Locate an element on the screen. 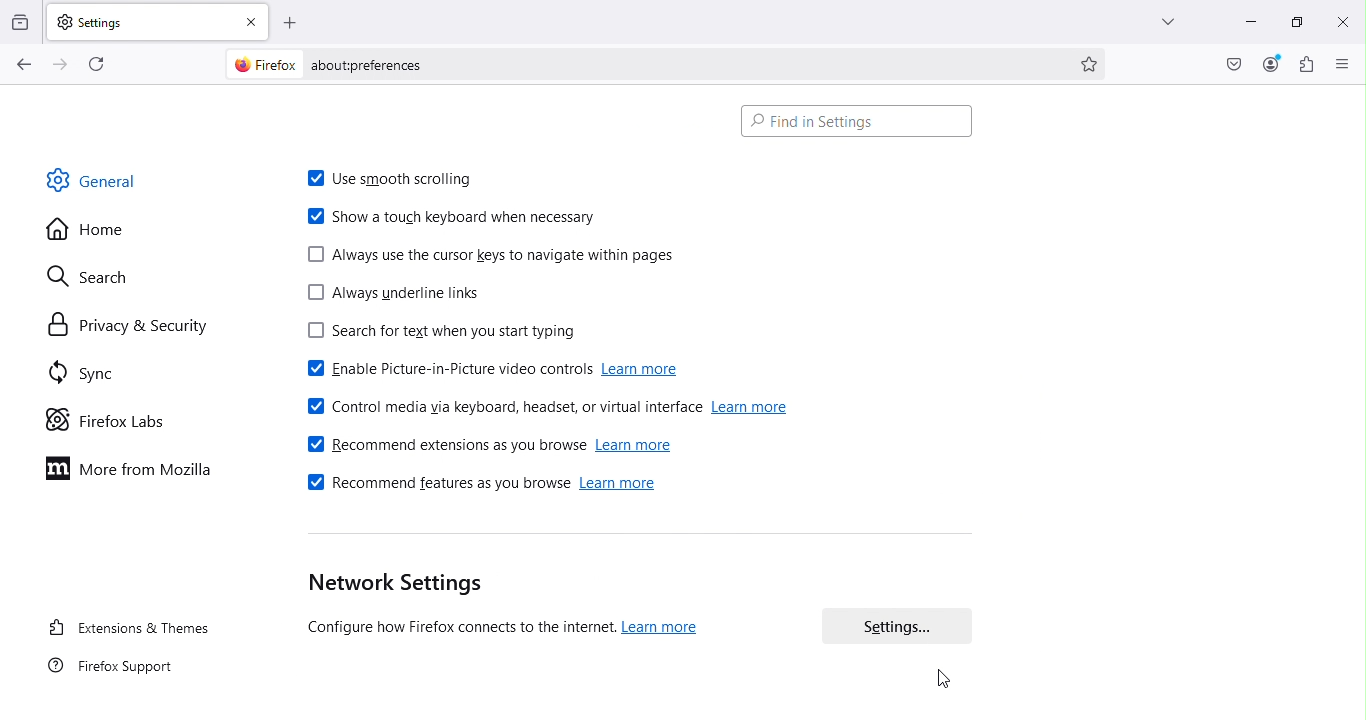 The width and height of the screenshot is (1366, 720). Sync is located at coordinates (111, 376).